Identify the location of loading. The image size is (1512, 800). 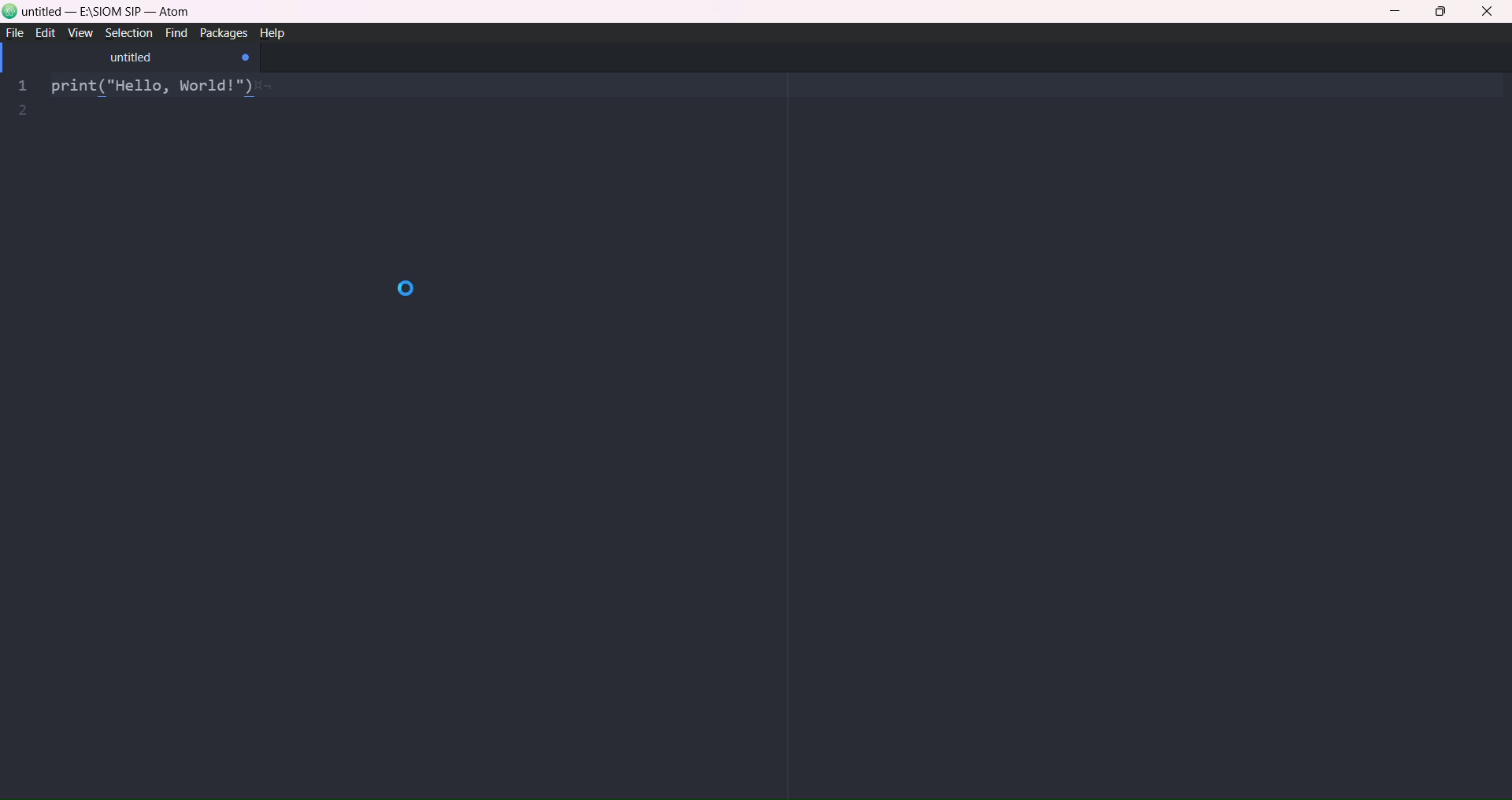
(403, 291).